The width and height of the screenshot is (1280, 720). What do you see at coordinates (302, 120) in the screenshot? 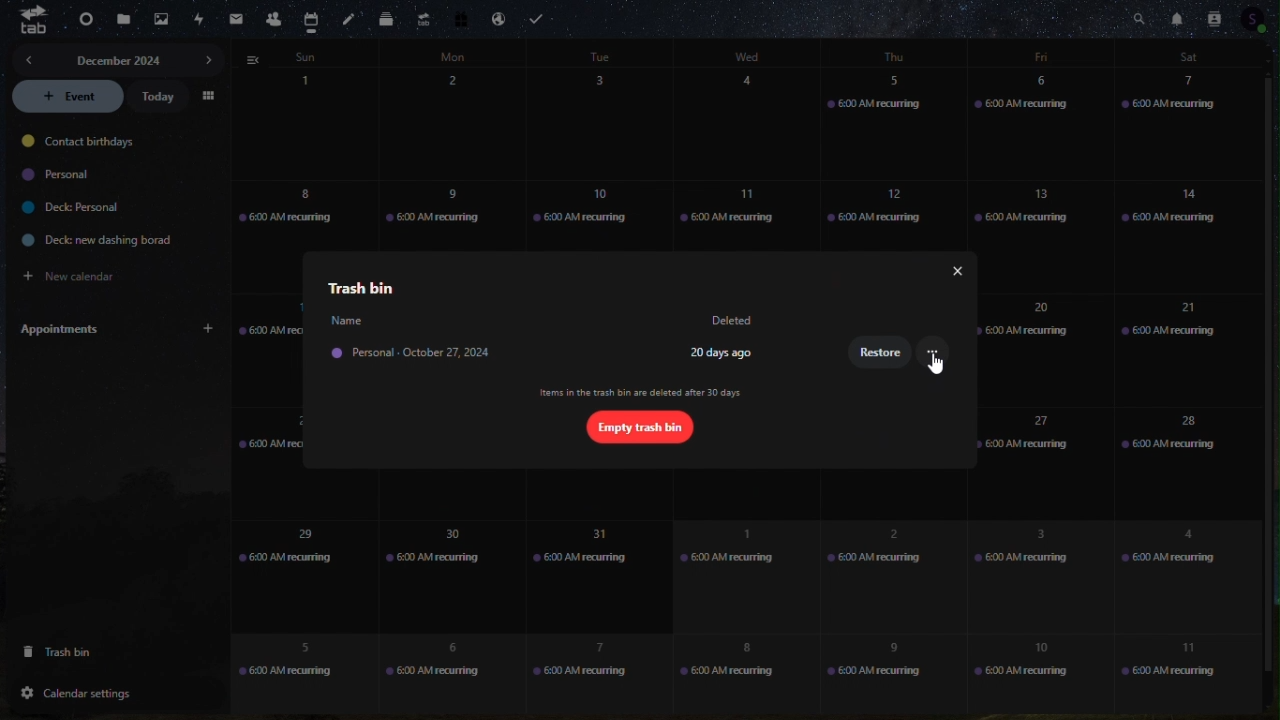
I see `calendar - days of the month` at bounding box center [302, 120].